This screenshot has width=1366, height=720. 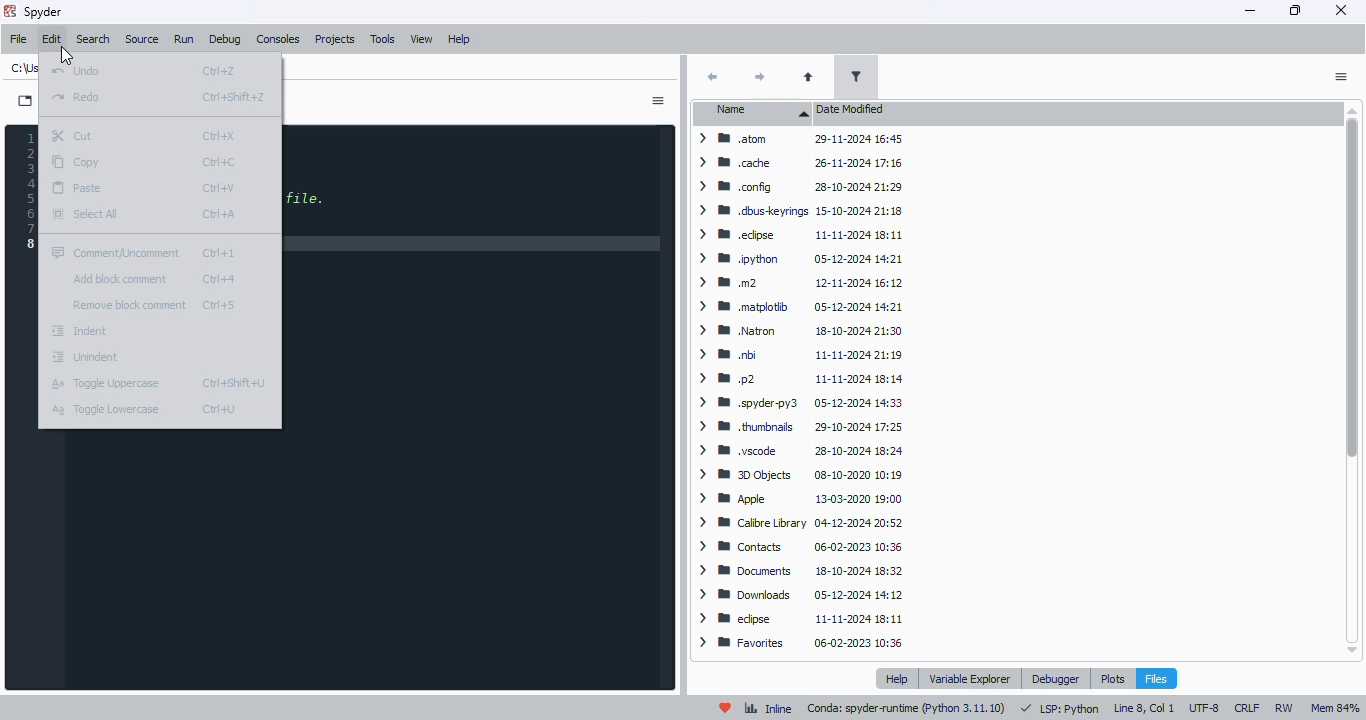 I want to click on paste, so click(x=79, y=189).